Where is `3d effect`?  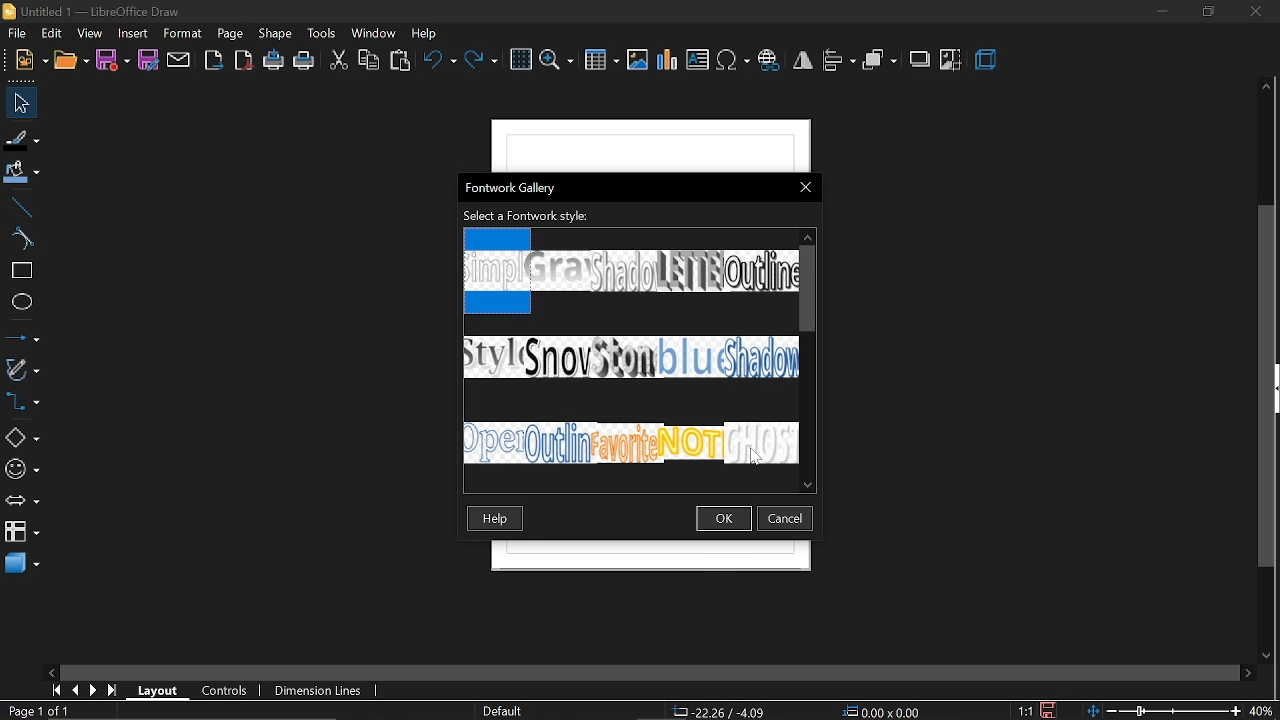 3d effect is located at coordinates (986, 60).